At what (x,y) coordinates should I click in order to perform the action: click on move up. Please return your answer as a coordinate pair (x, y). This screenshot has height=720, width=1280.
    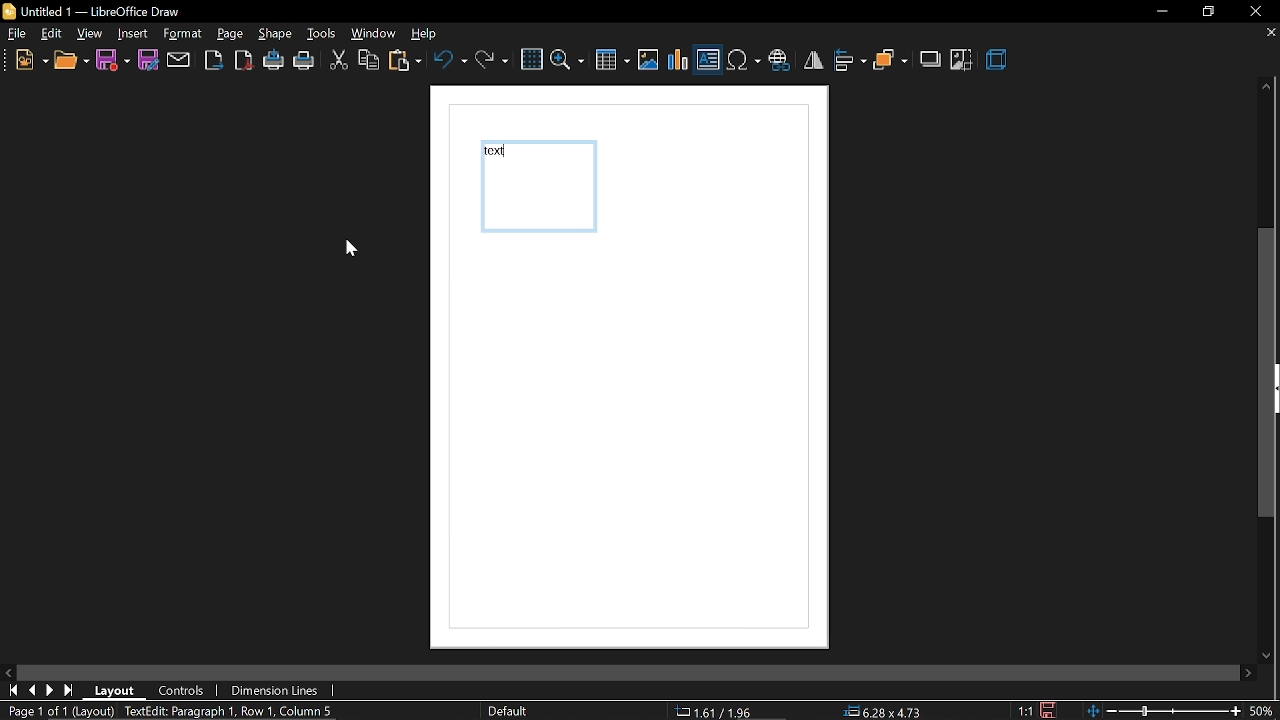
    Looking at the image, I should click on (1262, 87).